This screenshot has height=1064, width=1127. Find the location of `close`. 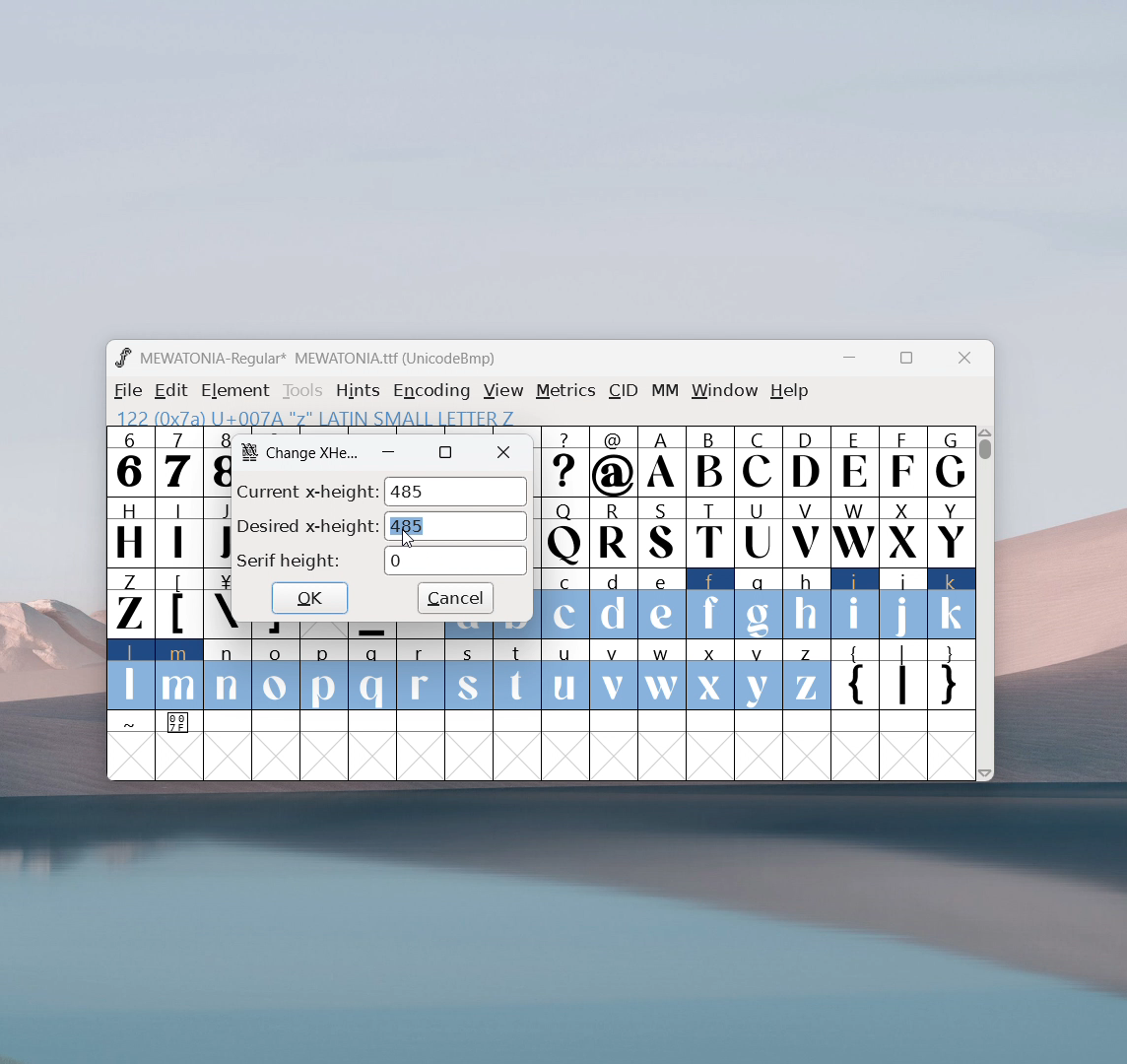

close is located at coordinates (504, 453).